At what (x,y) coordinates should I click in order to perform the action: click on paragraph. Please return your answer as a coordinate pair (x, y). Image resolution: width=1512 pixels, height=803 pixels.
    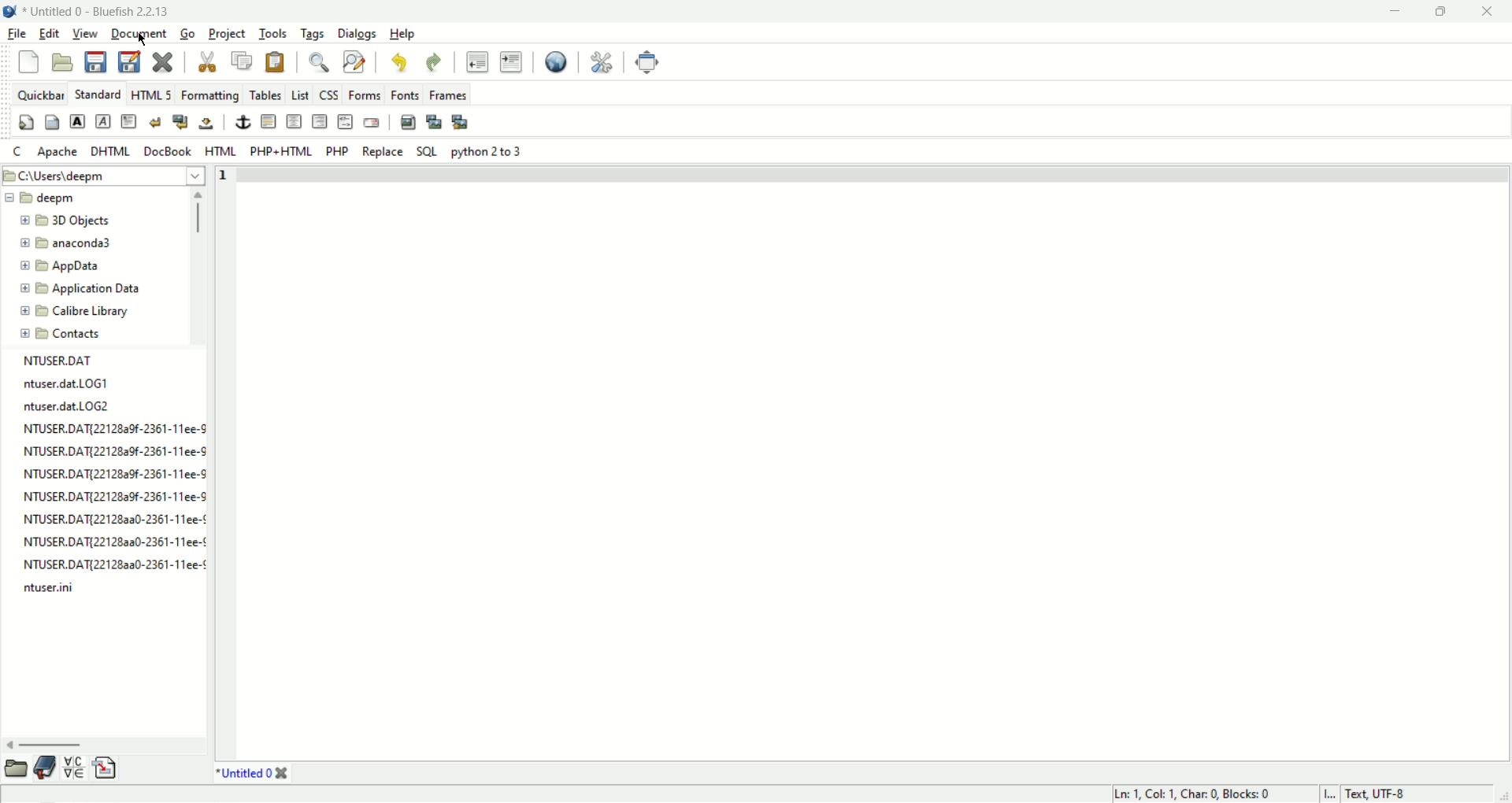
    Looking at the image, I should click on (129, 121).